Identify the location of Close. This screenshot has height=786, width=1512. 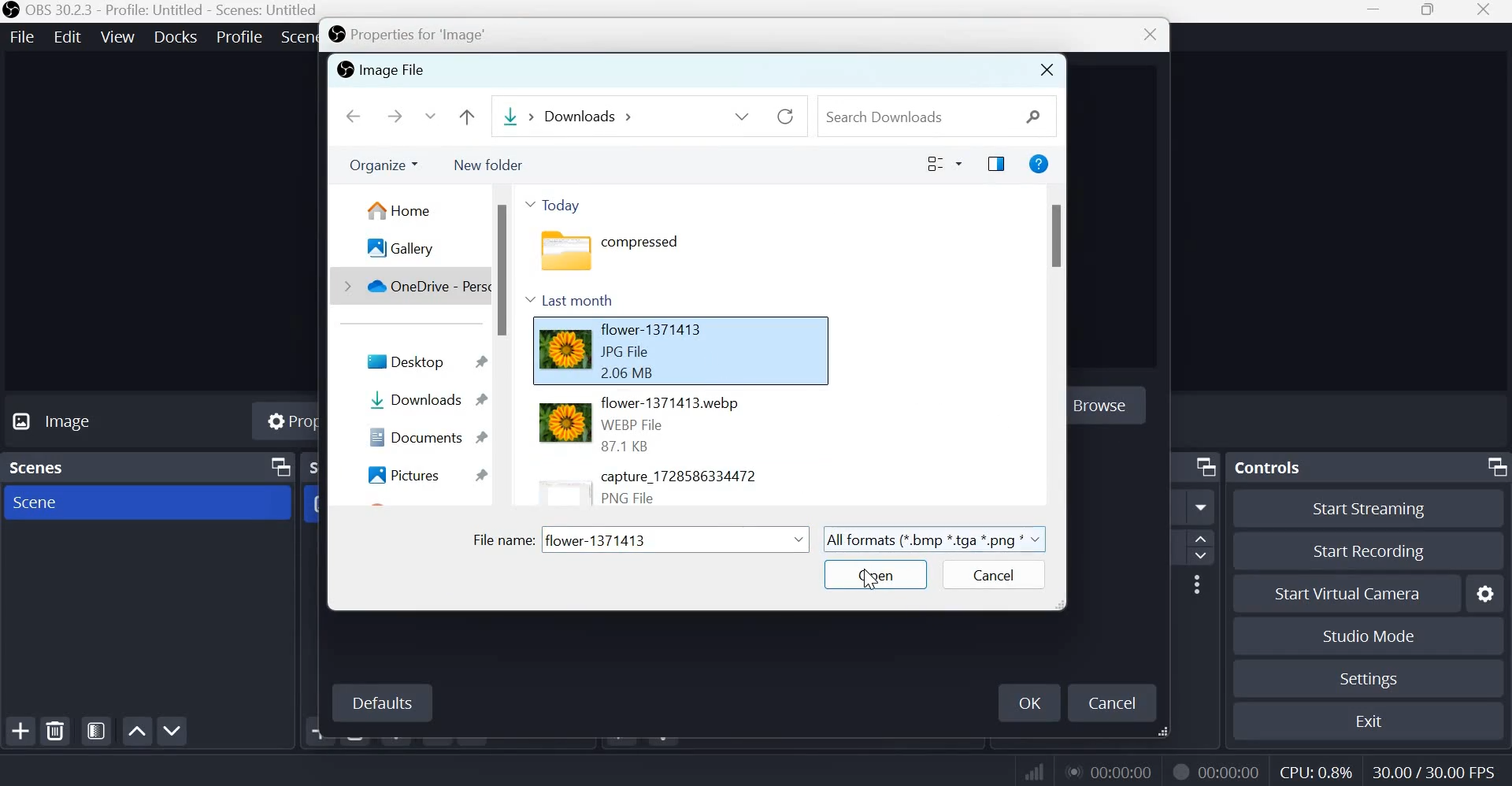
(1145, 36).